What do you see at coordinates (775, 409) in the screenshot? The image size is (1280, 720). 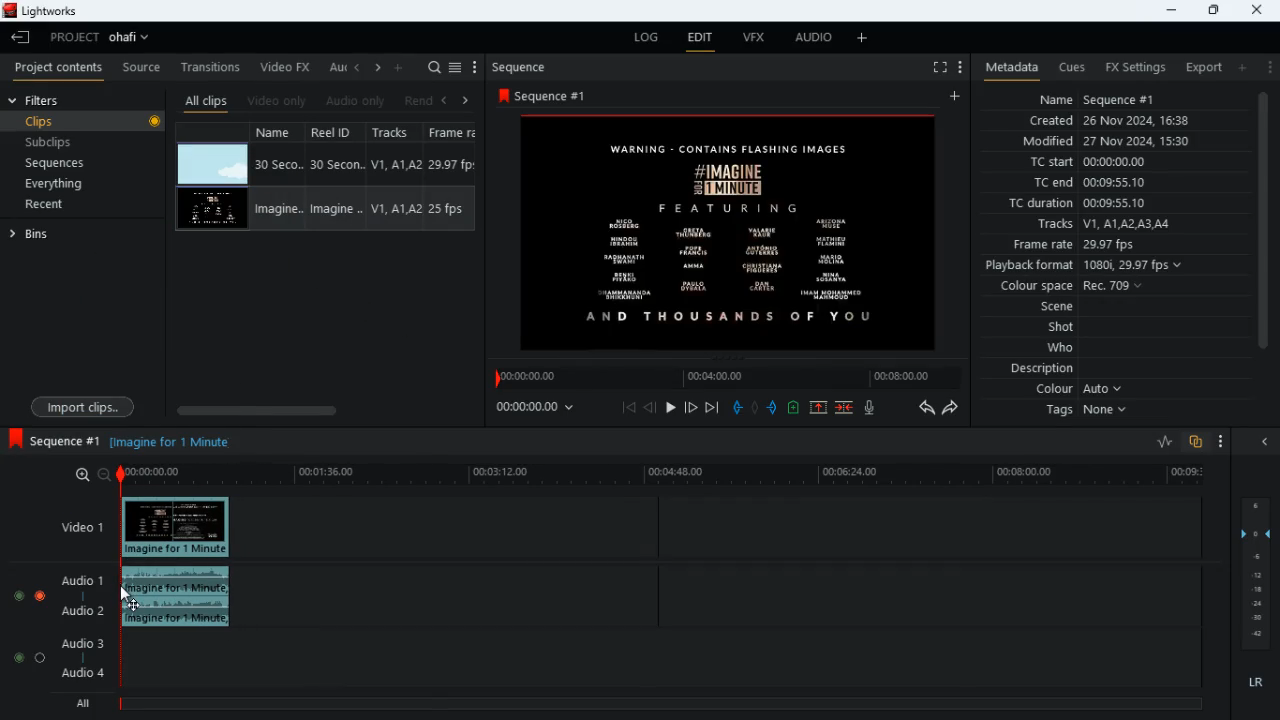 I see `push` at bounding box center [775, 409].